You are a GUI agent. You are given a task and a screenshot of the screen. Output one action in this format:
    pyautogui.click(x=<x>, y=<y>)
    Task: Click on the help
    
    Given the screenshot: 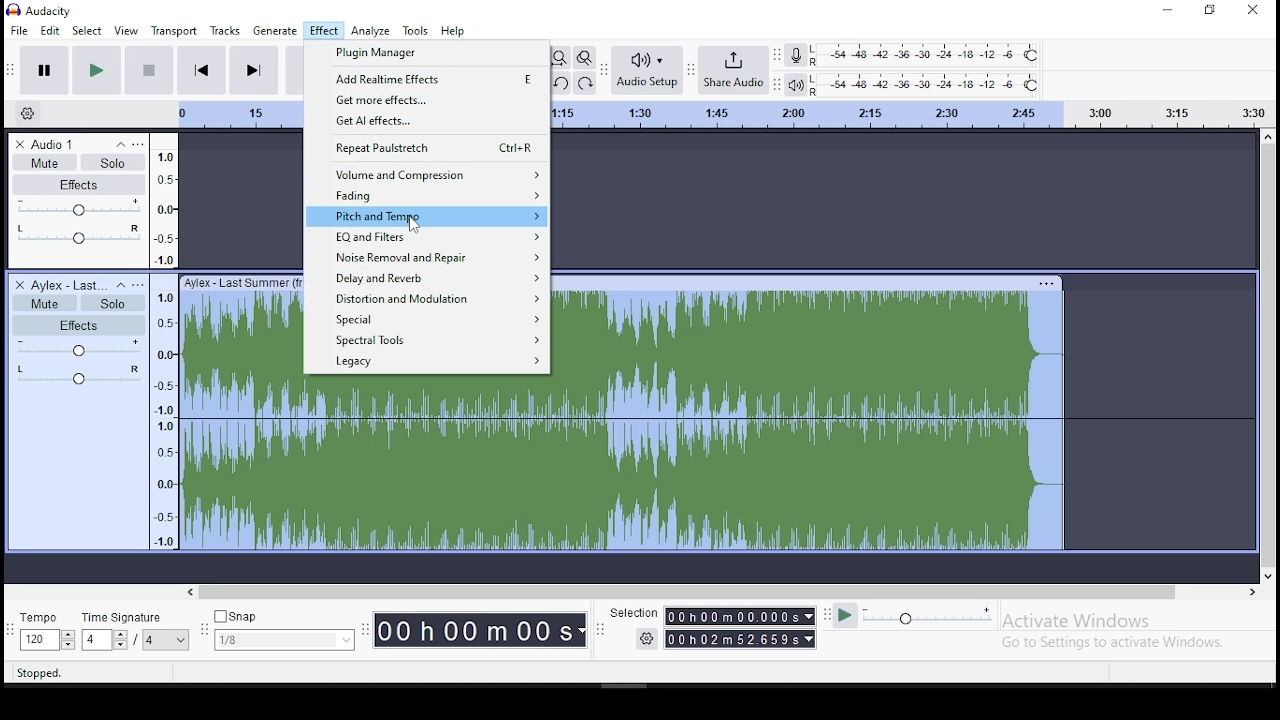 What is the action you would take?
    pyautogui.click(x=453, y=32)
    